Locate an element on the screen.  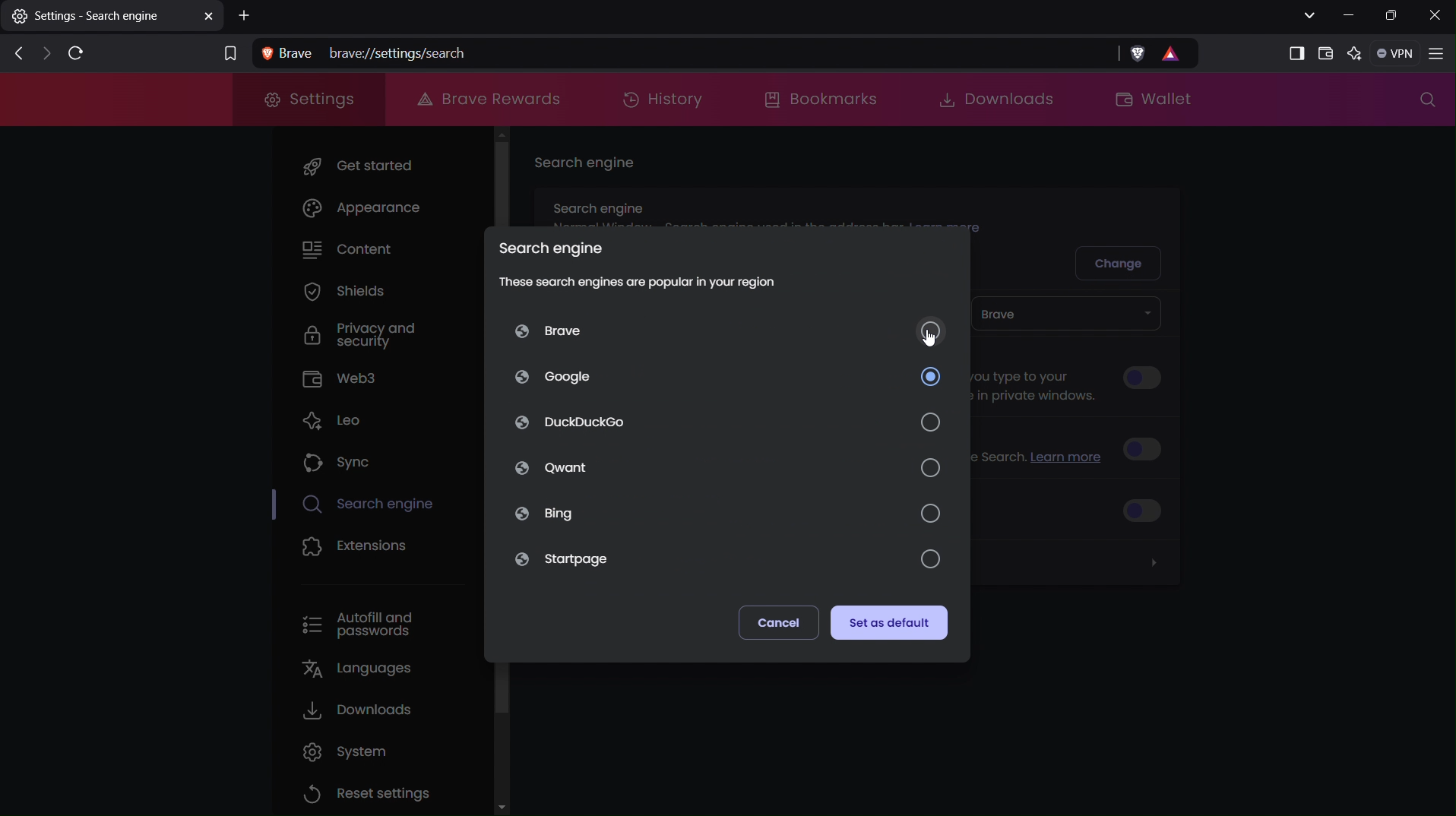
Next is located at coordinates (43, 55).